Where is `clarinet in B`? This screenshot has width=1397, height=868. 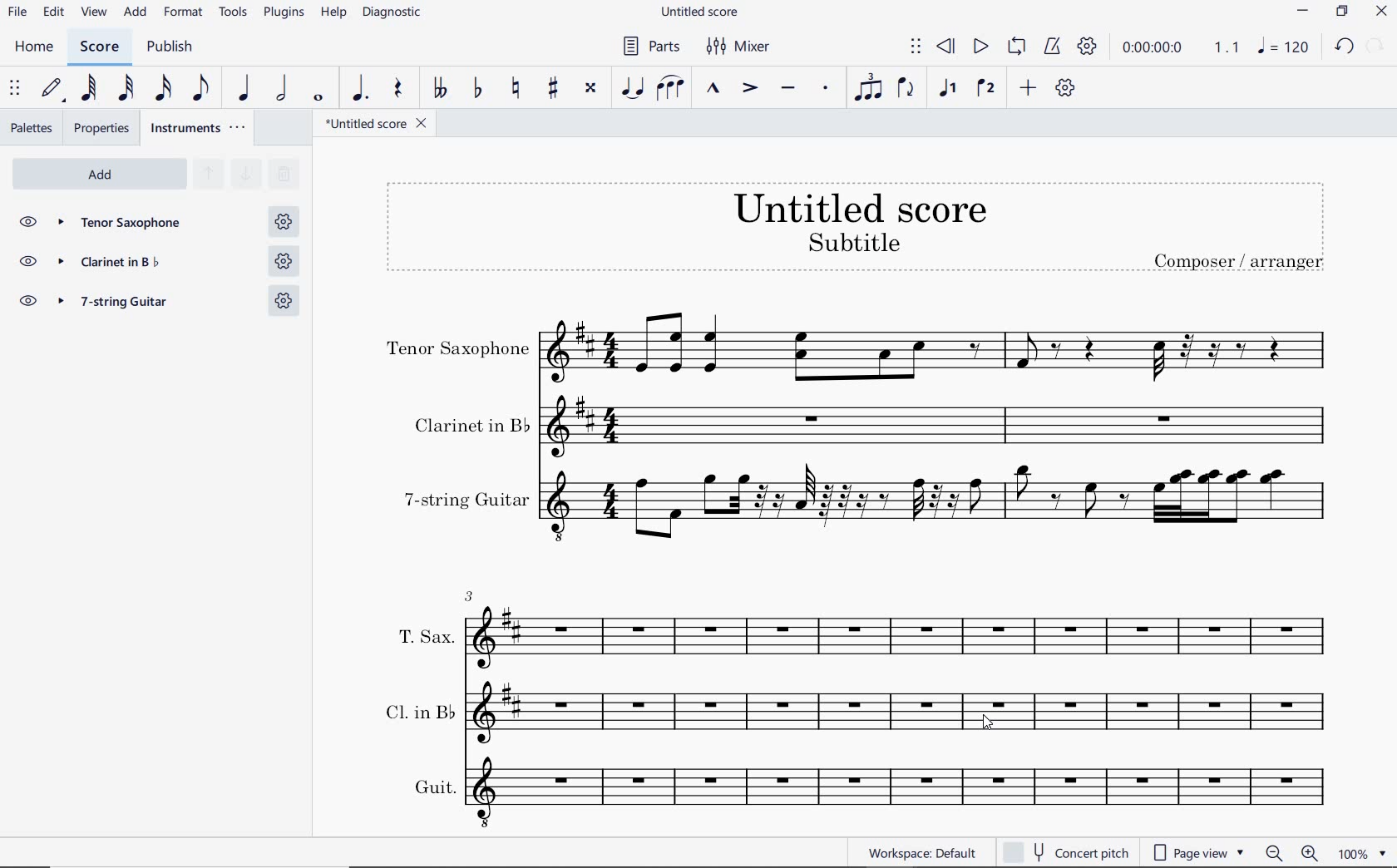
clarinet in B is located at coordinates (130, 264).